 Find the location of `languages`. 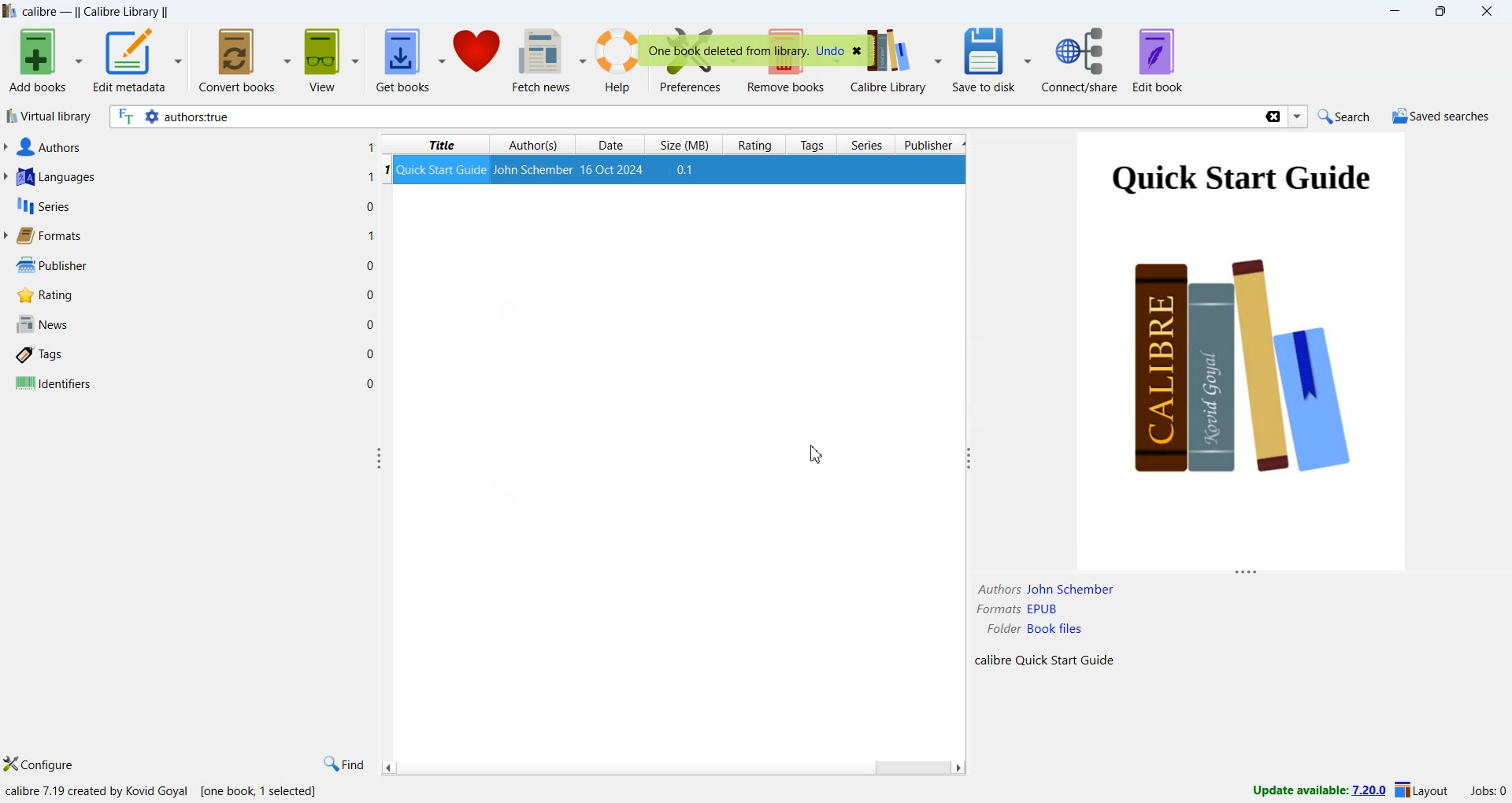

languages is located at coordinates (54, 179).